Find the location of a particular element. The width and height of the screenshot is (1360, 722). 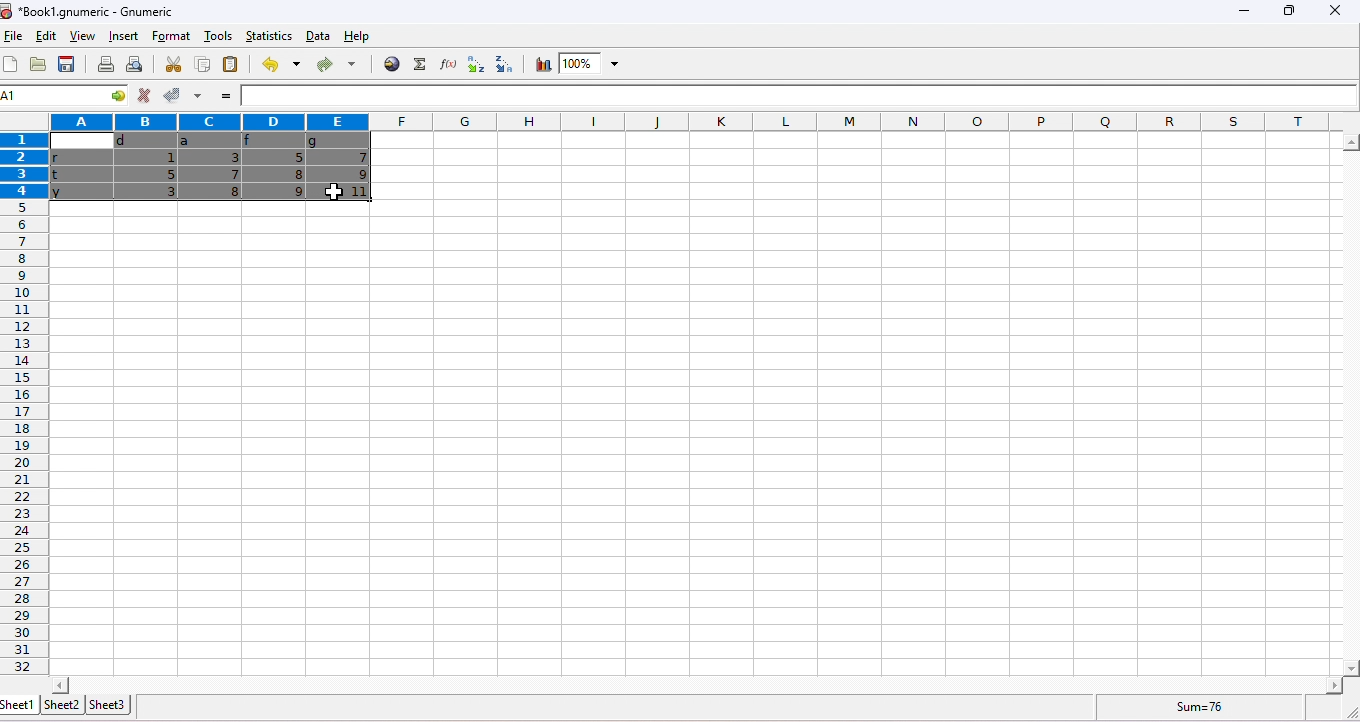

open is located at coordinates (38, 65).